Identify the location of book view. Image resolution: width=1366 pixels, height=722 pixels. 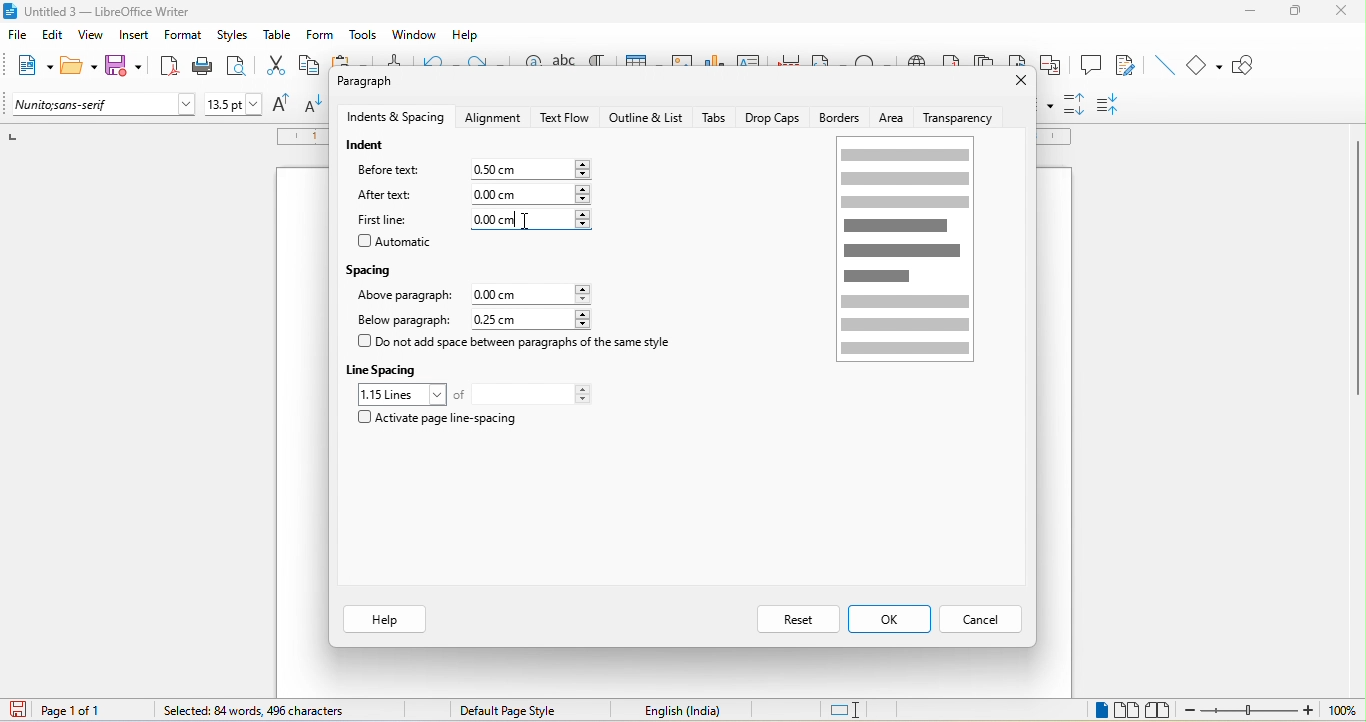
(1162, 710).